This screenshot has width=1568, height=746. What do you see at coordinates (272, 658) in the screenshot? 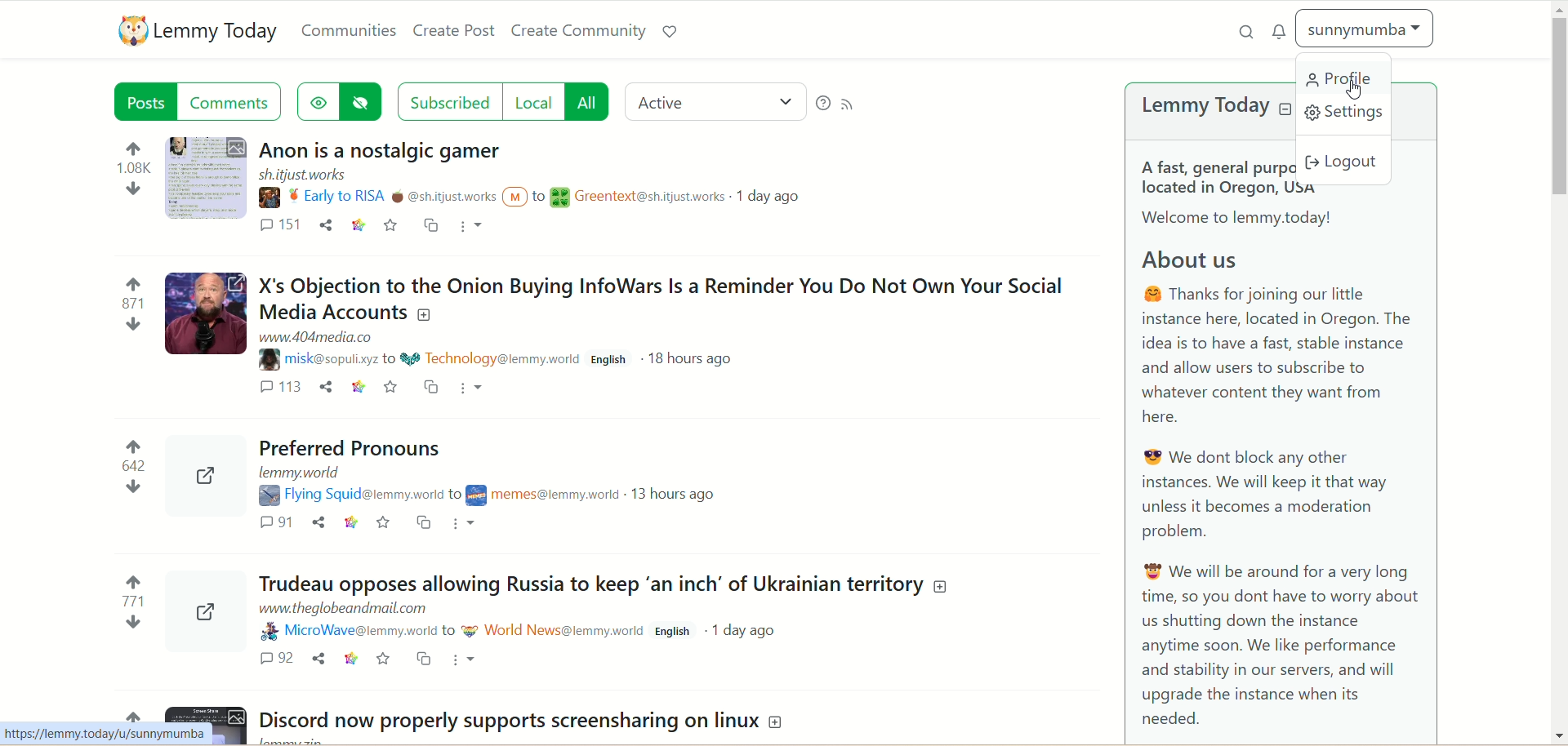
I see `Comments` at bounding box center [272, 658].